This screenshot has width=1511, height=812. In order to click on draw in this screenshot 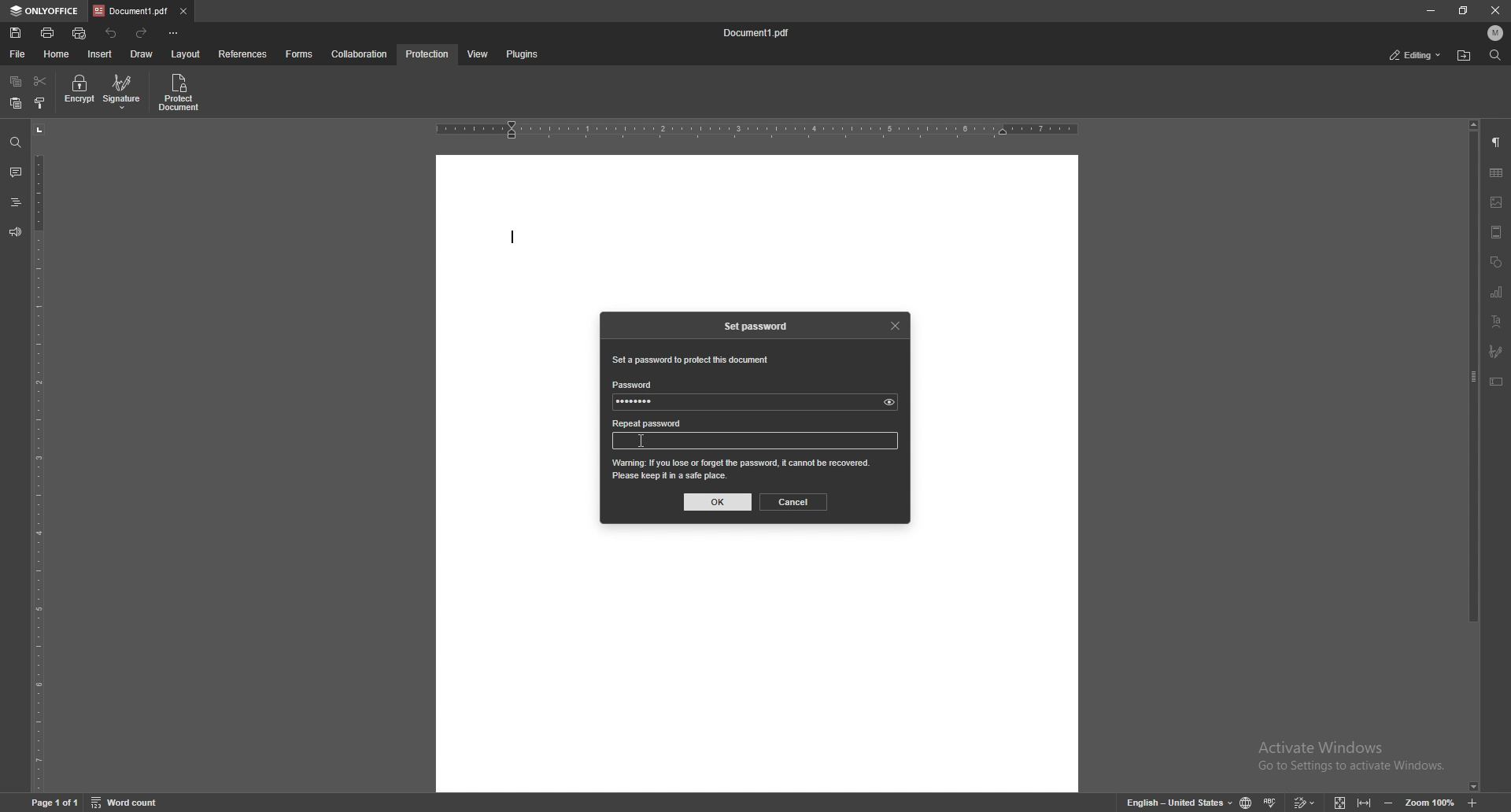, I will do `click(142, 54)`.